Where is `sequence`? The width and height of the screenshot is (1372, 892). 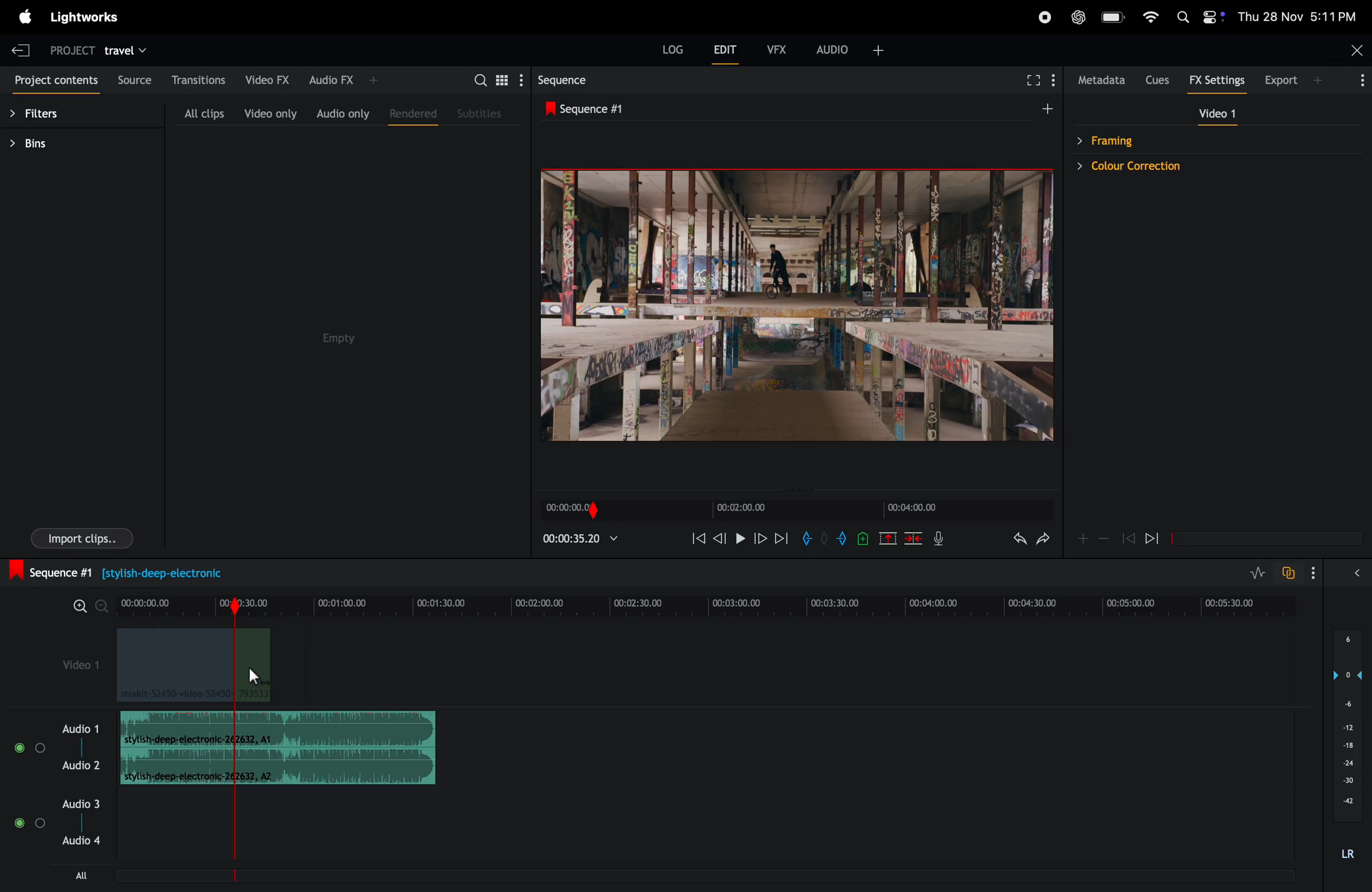 sequence is located at coordinates (576, 80).